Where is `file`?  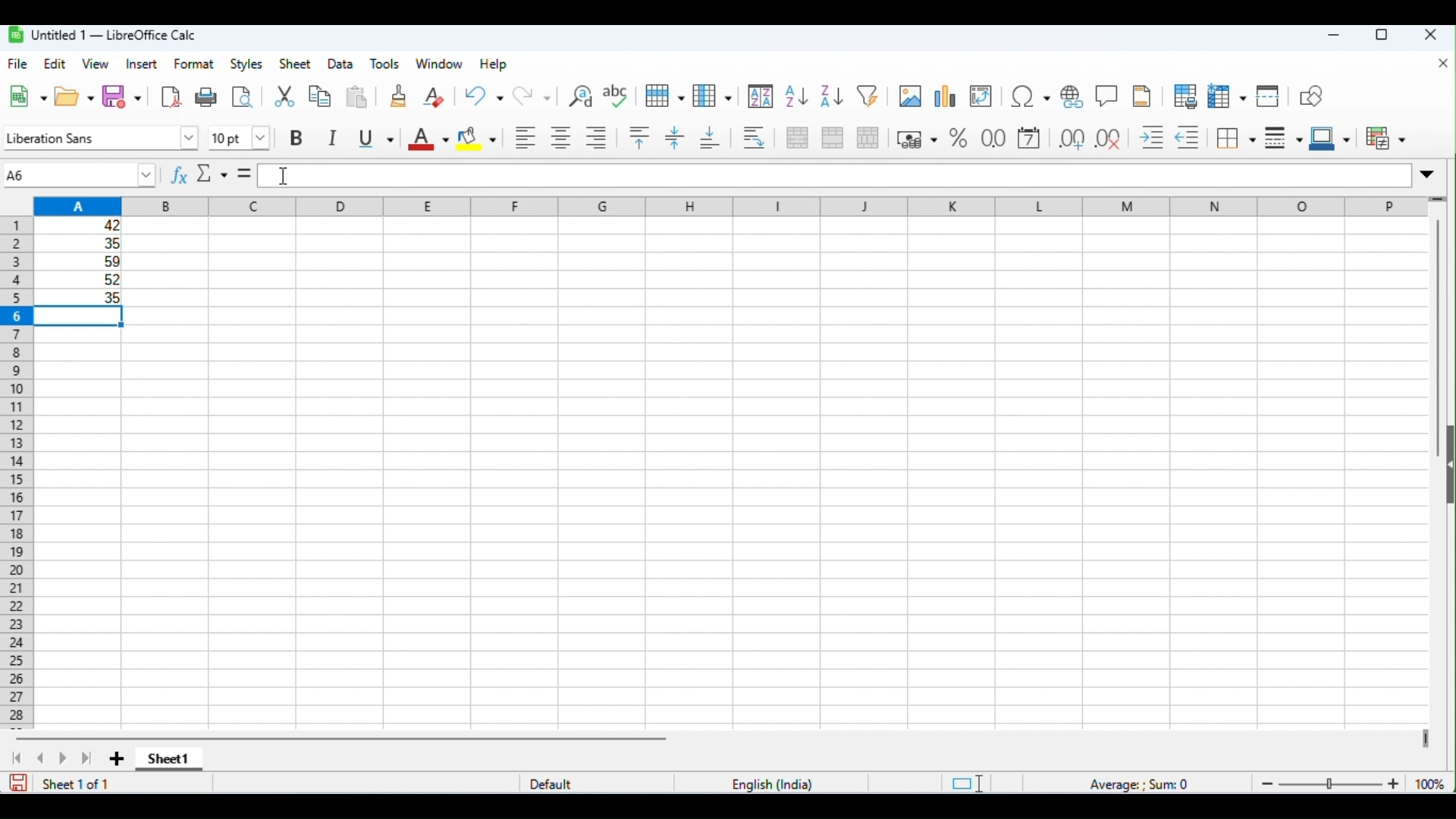
file is located at coordinates (19, 64).